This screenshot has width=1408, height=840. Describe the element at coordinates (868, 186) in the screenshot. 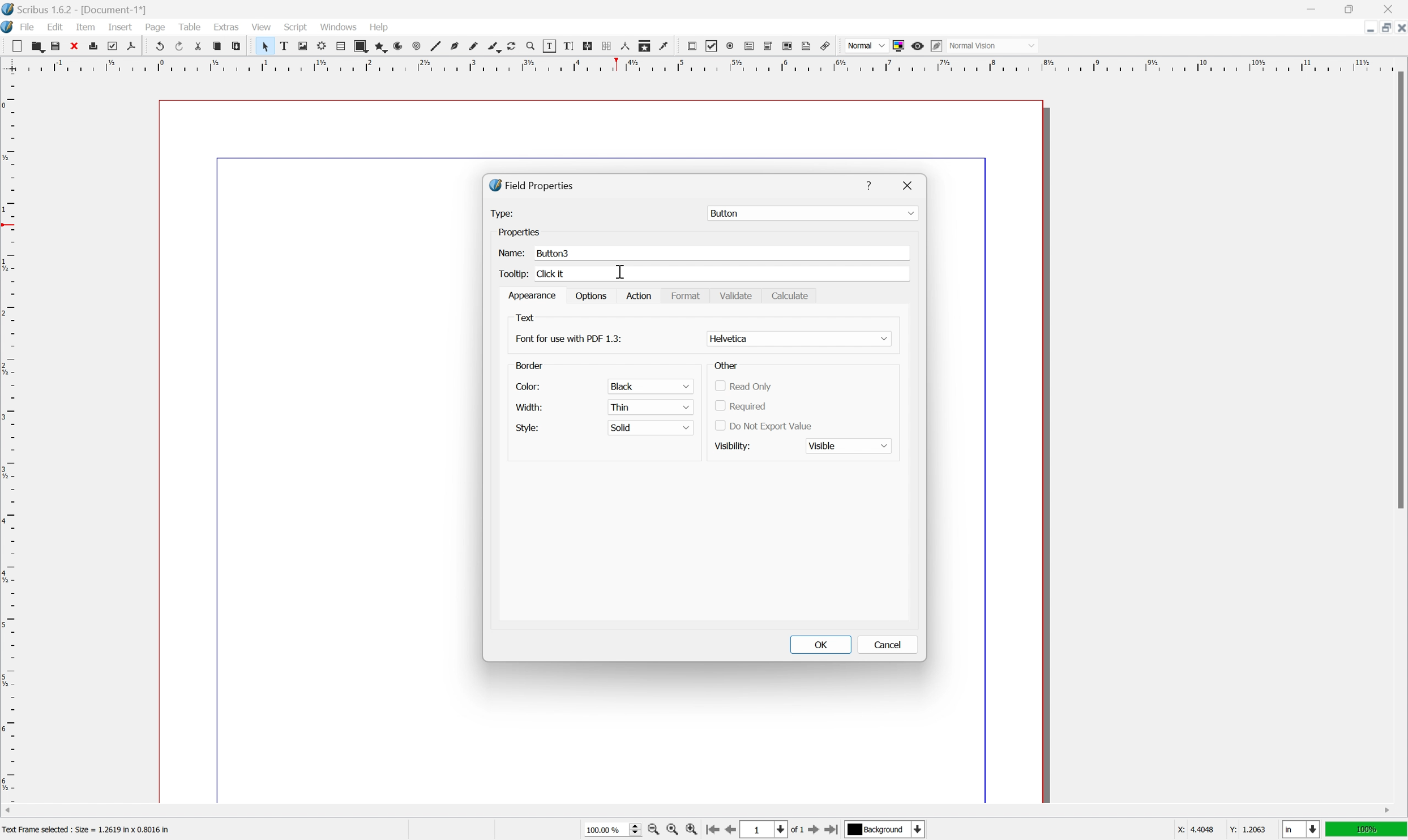

I see `Help` at that location.